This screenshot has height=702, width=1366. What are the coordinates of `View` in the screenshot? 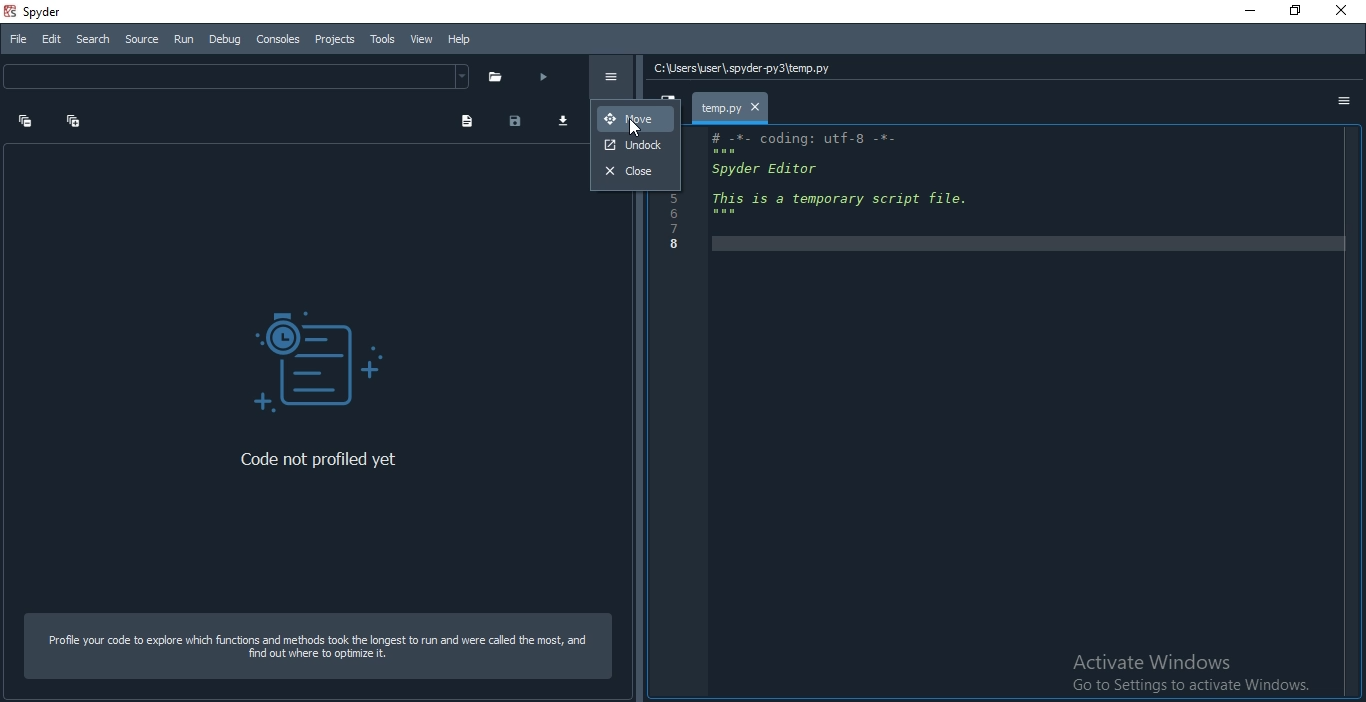 It's located at (419, 37).